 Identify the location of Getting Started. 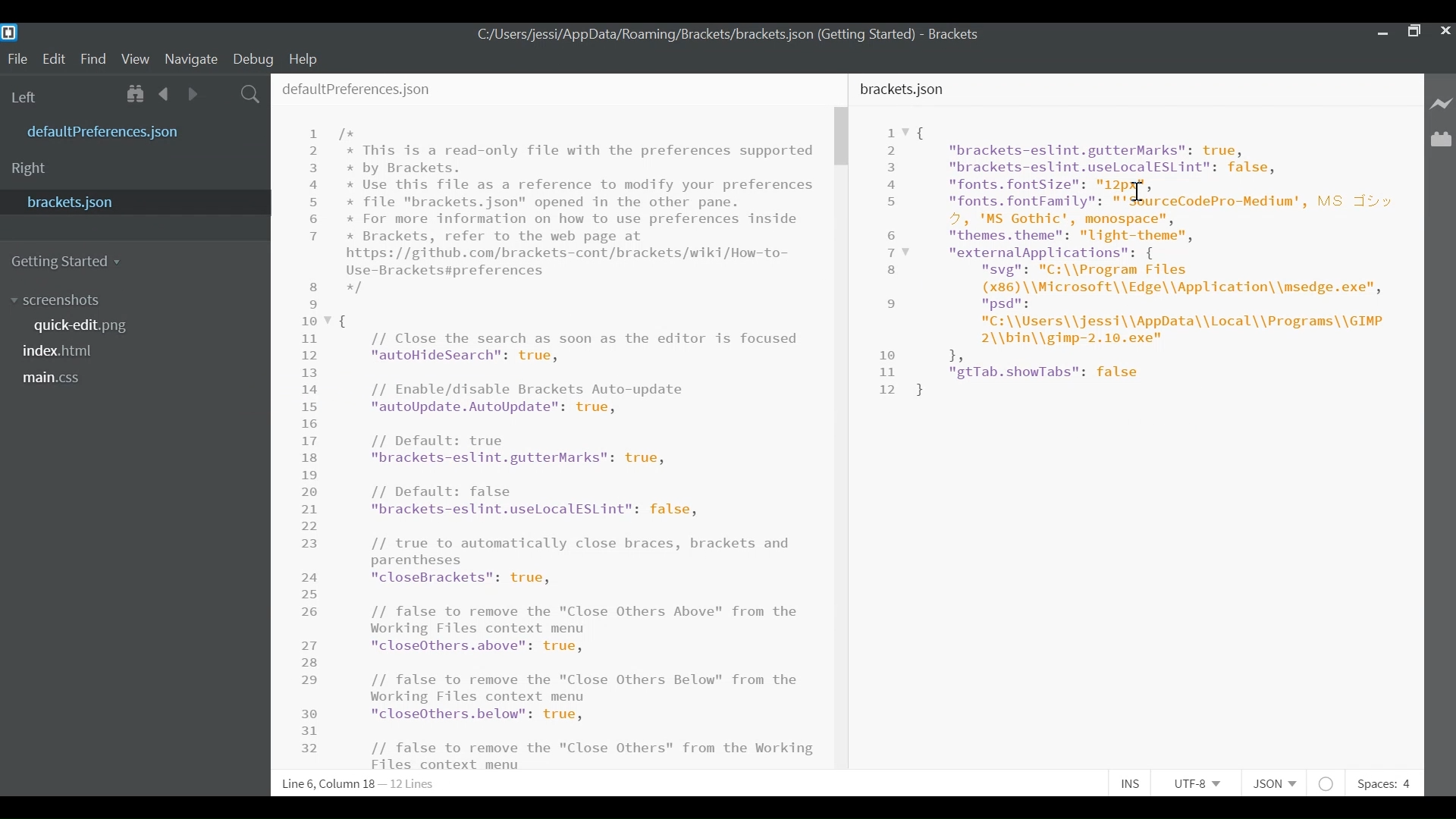
(71, 261).